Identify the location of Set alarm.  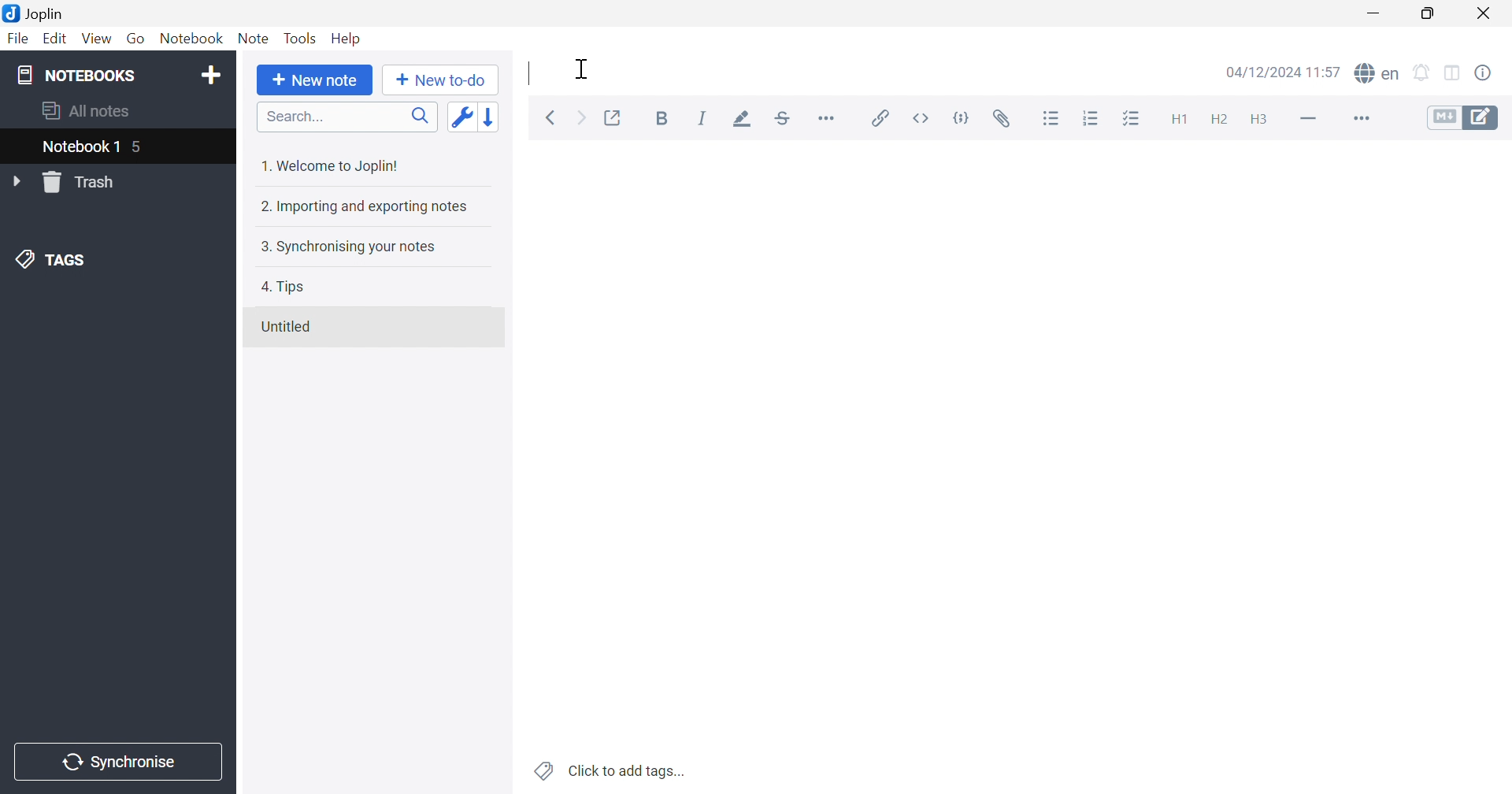
(1421, 72).